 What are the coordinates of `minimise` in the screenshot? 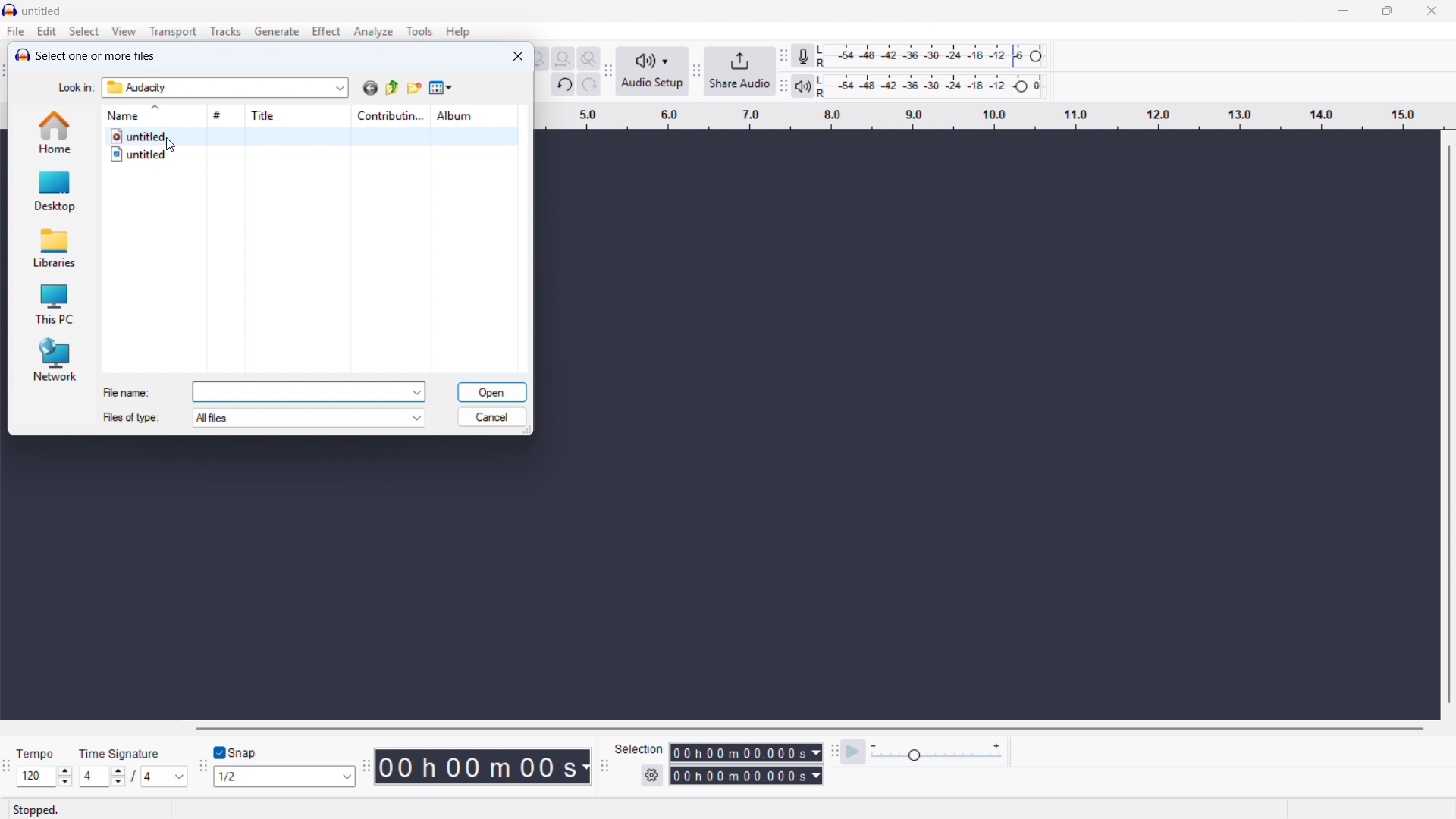 It's located at (1345, 11).